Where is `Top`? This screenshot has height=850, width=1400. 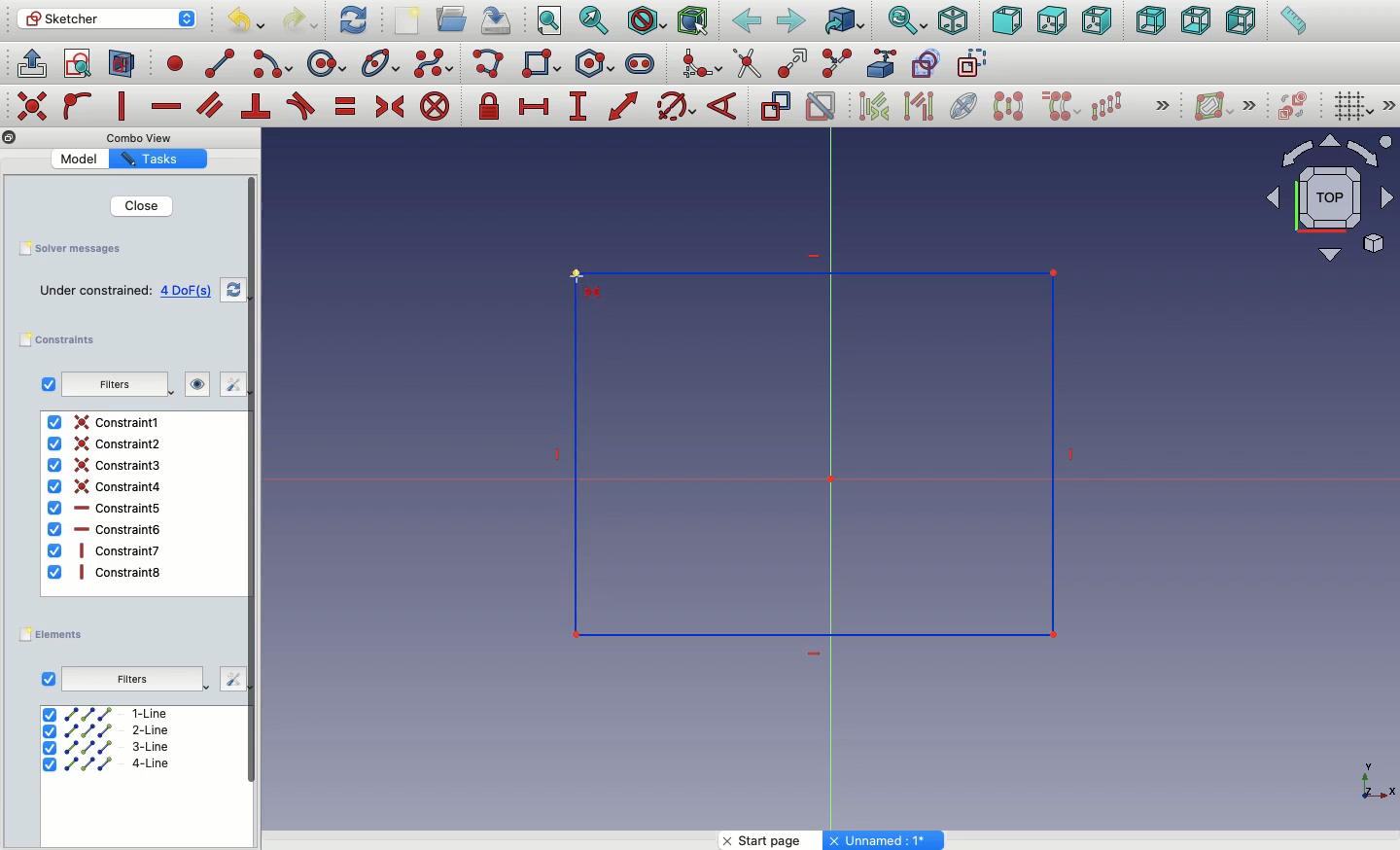 Top is located at coordinates (1051, 21).